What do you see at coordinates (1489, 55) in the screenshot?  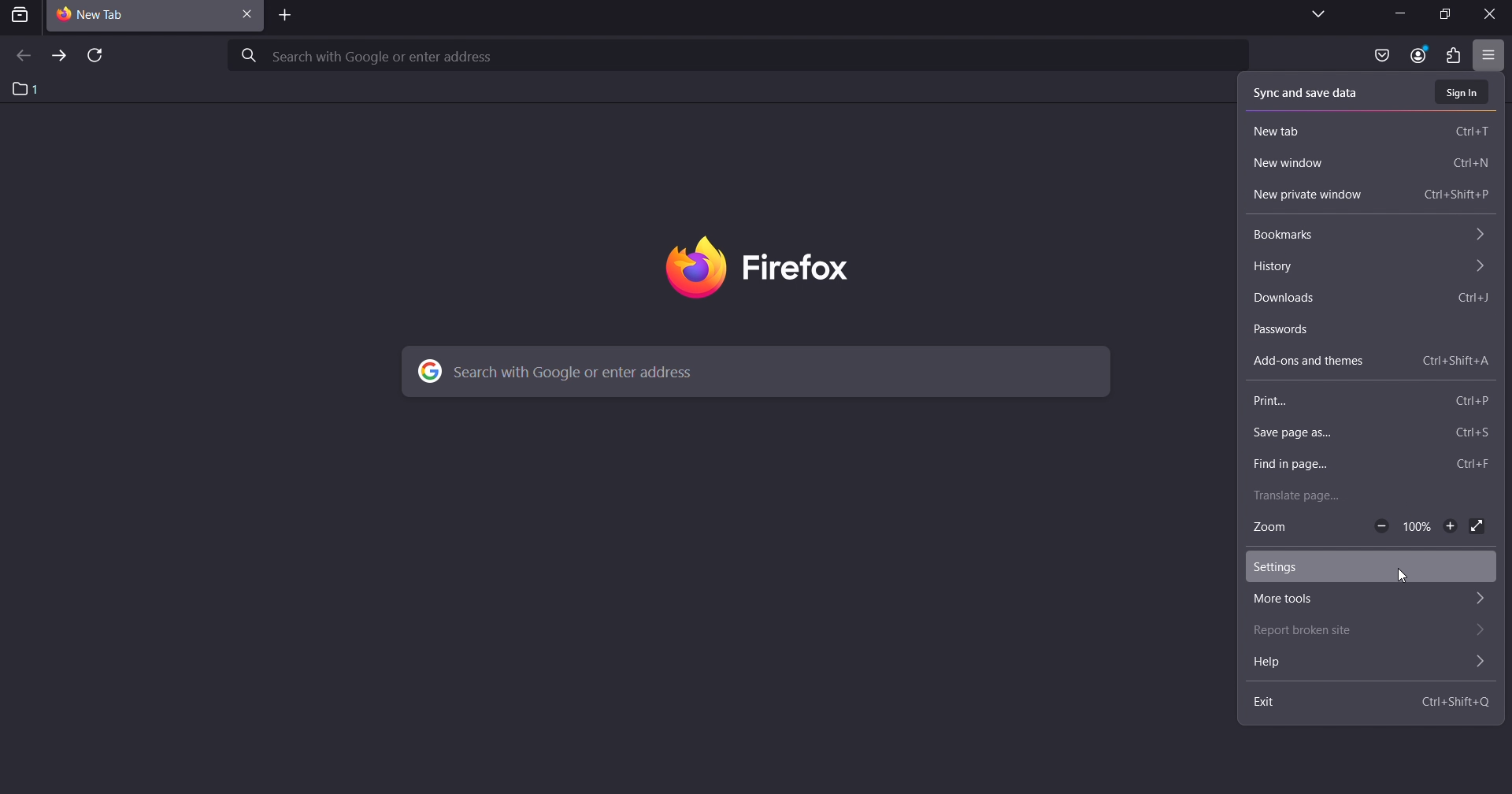 I see `open application menu` at bounding box center [1489, 55].